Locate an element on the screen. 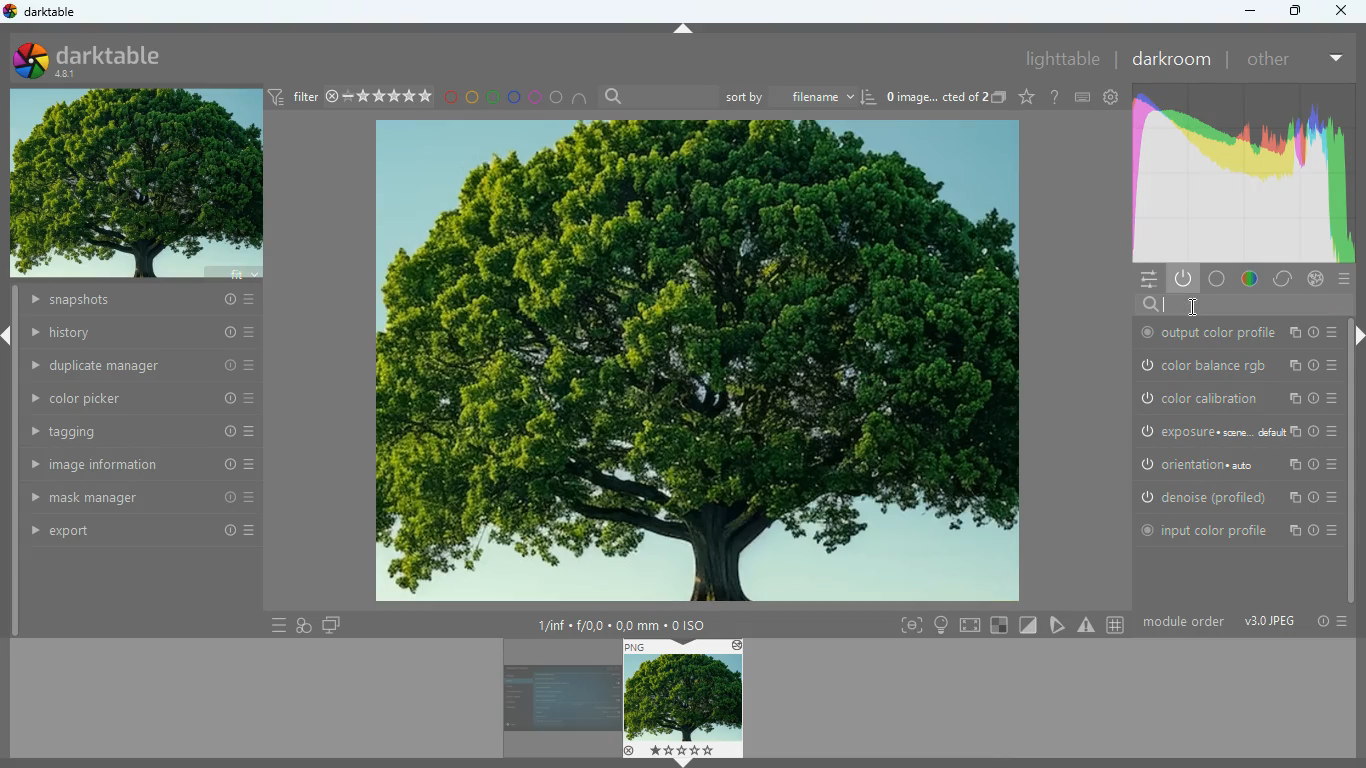  orientation is located at coordinates (1235, 463).